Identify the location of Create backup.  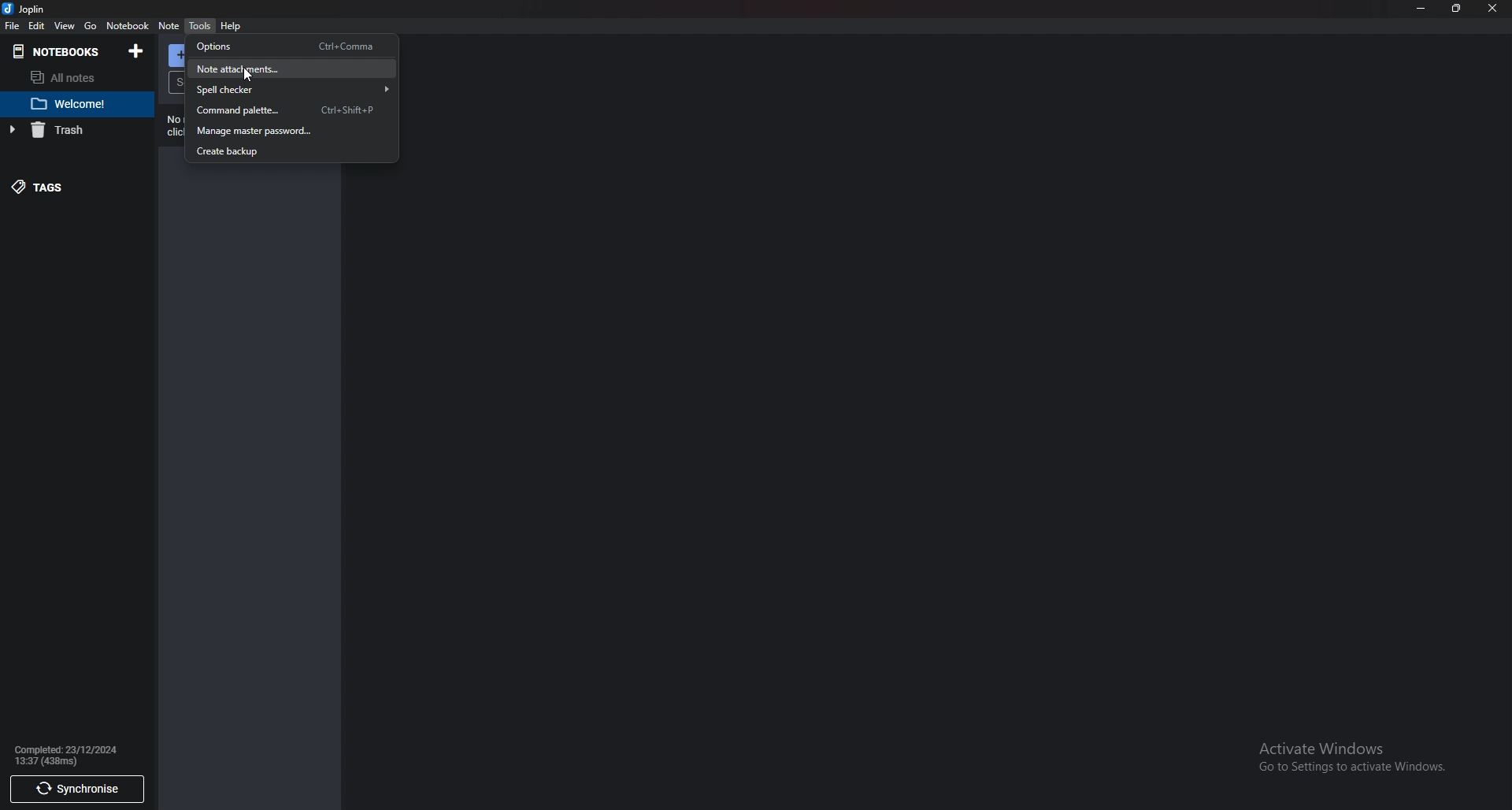
(285, 152).